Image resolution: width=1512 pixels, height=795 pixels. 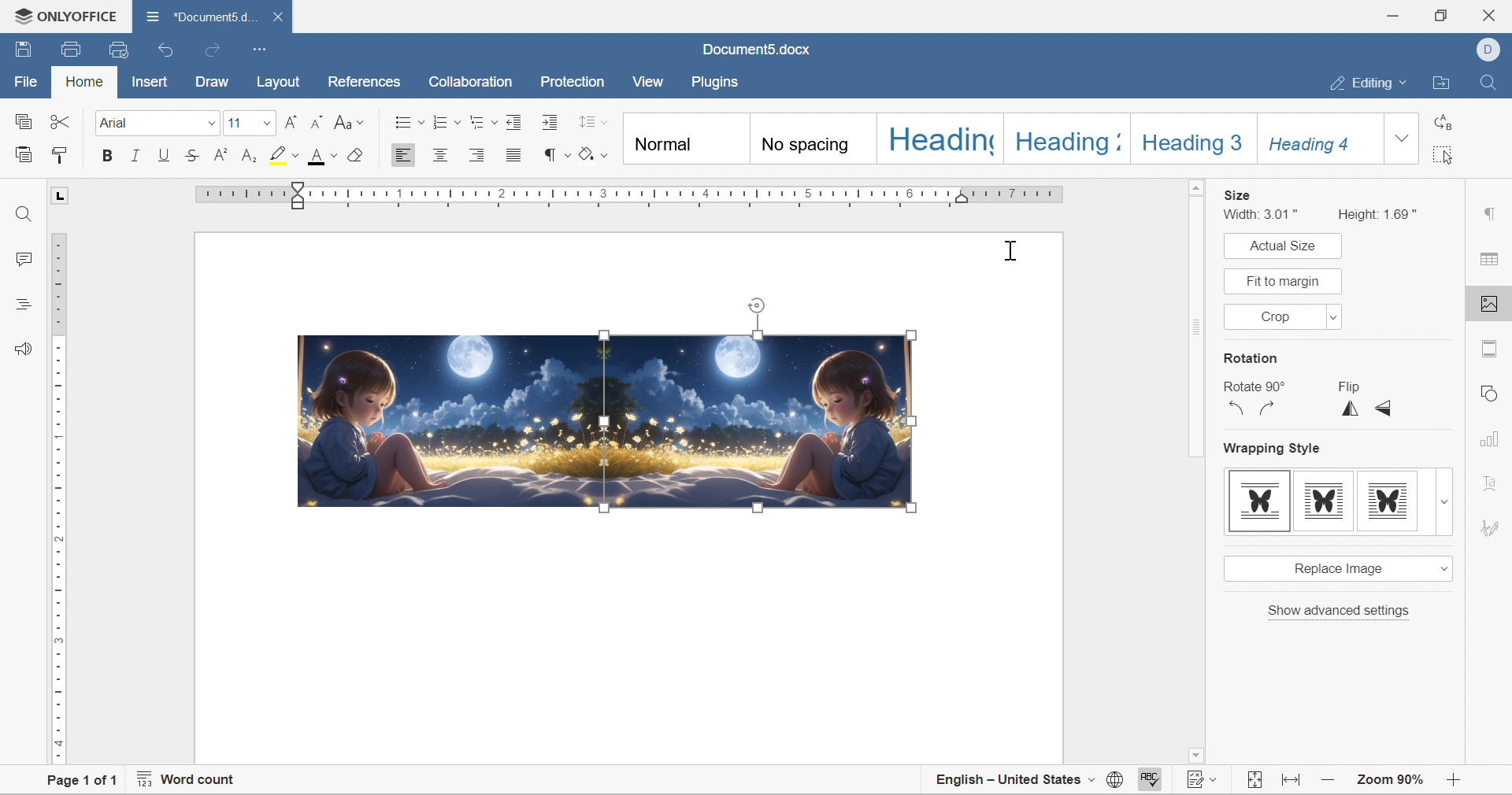 I want to click on nonprinting characters, so click(x=556, y=154).